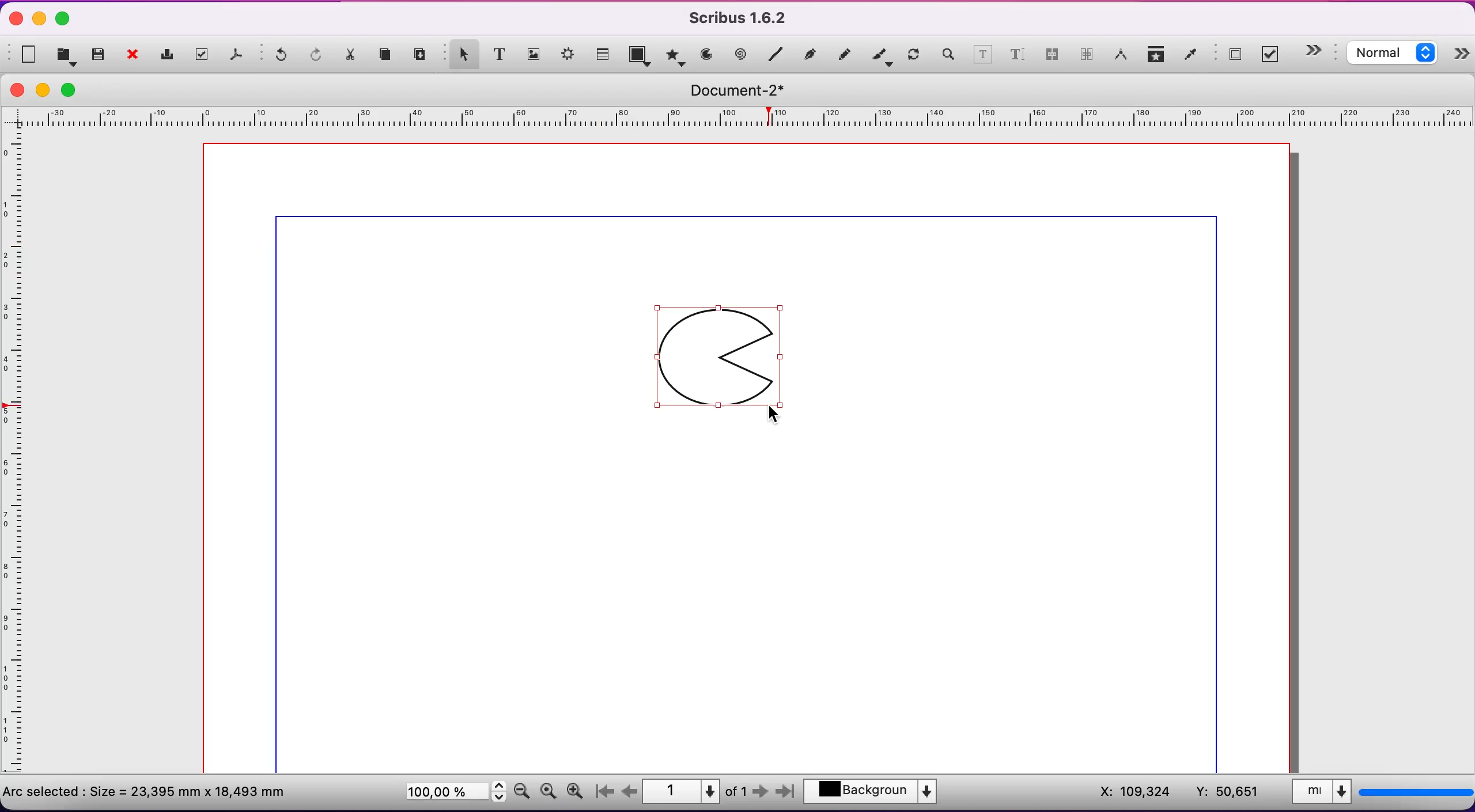 This screenshot has width=1475, height=812. I want to click on insert pdf press button, so click(1231, 55).